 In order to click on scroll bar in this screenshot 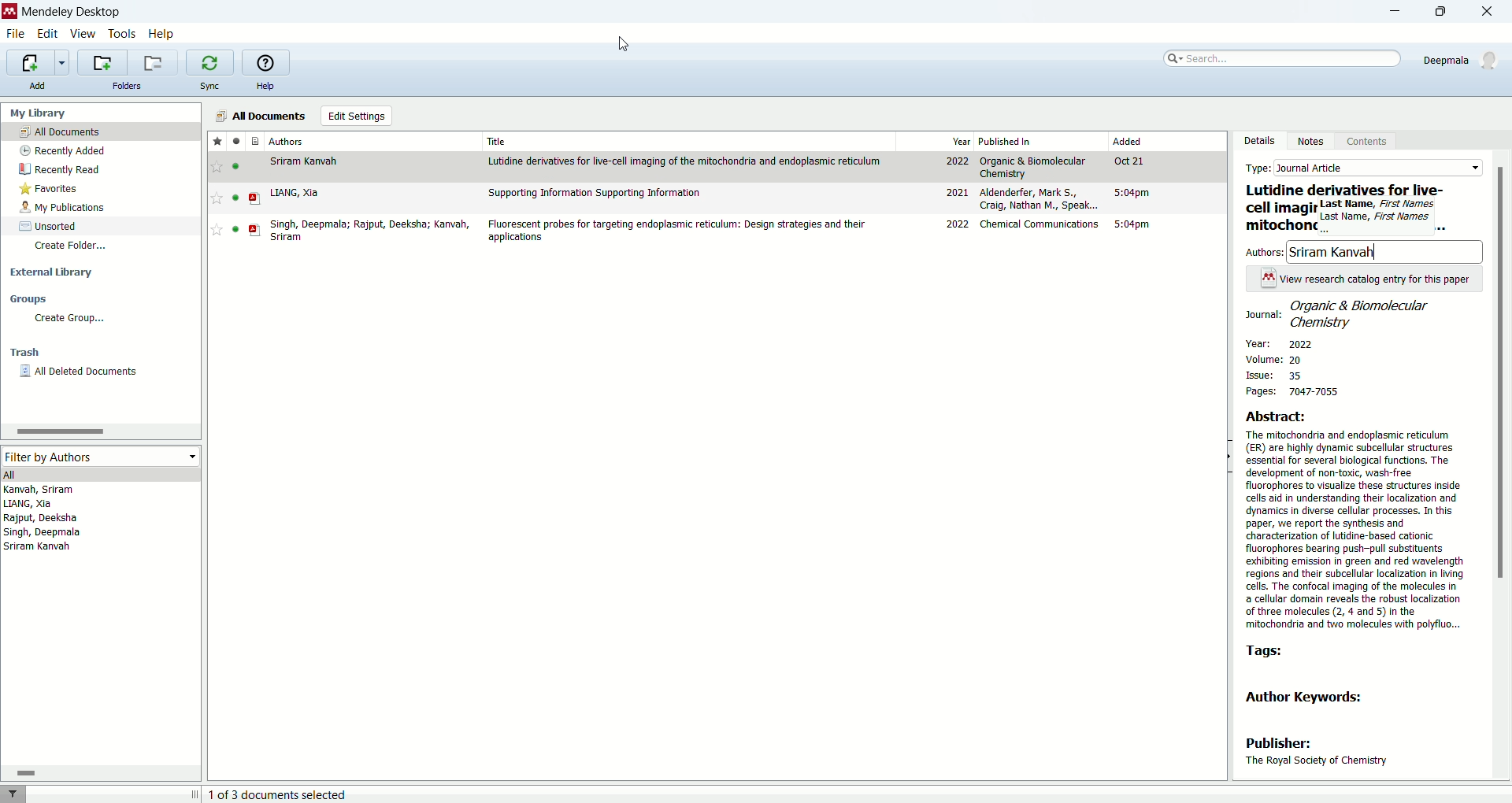, I will do `click(1502, 465)`.